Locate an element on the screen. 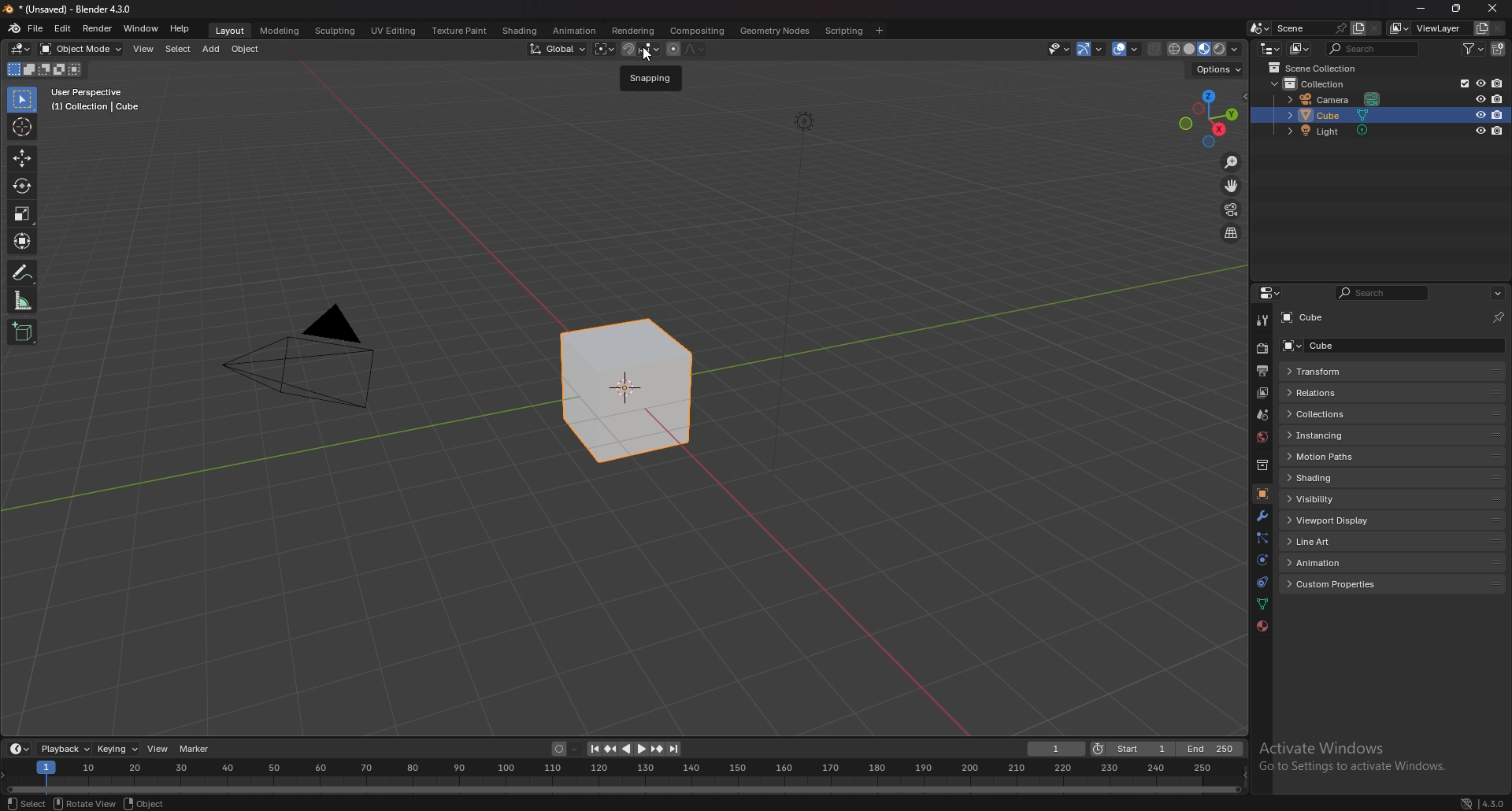 The width and height of the screenshot is (1512, 811). object is located at coordinates (1262, 493).